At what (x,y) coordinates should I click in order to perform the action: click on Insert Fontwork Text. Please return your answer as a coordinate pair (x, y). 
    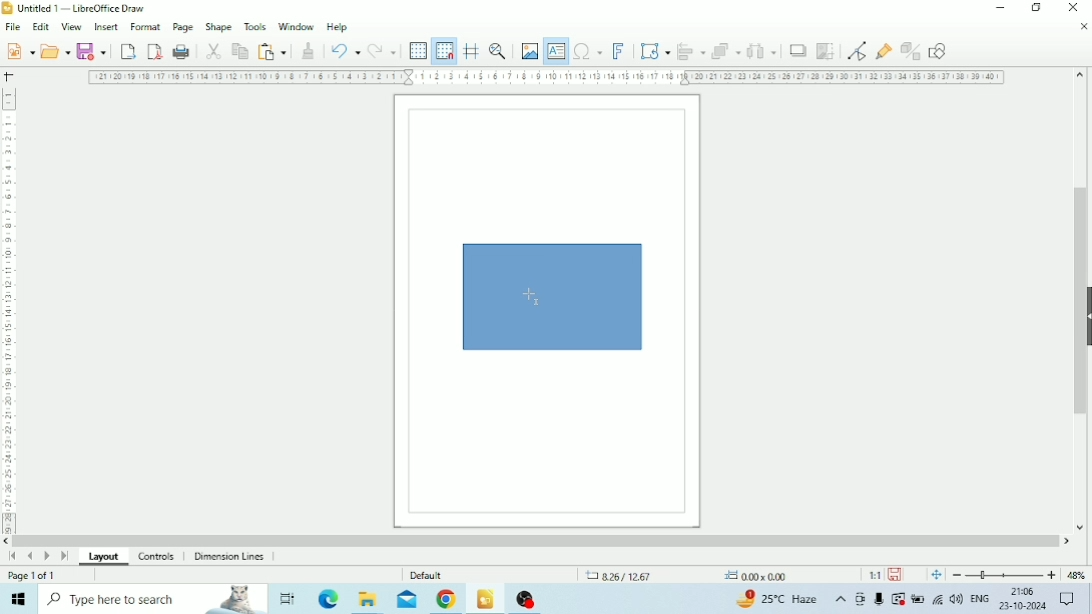
    Looking at the image, I should click on (620, 52).